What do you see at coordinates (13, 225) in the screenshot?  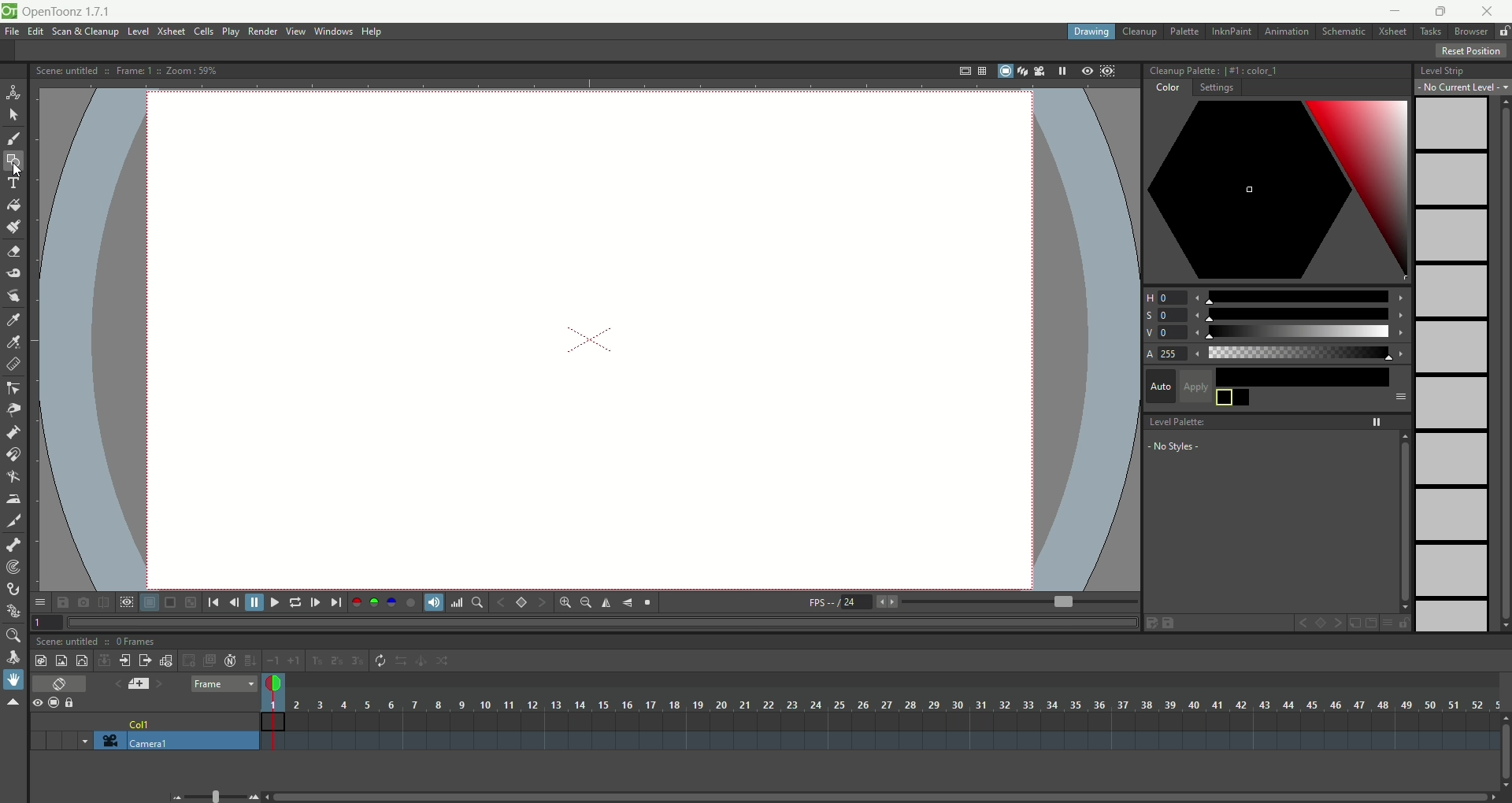 I see `paint brush tool` at bounding box center [13, 225].